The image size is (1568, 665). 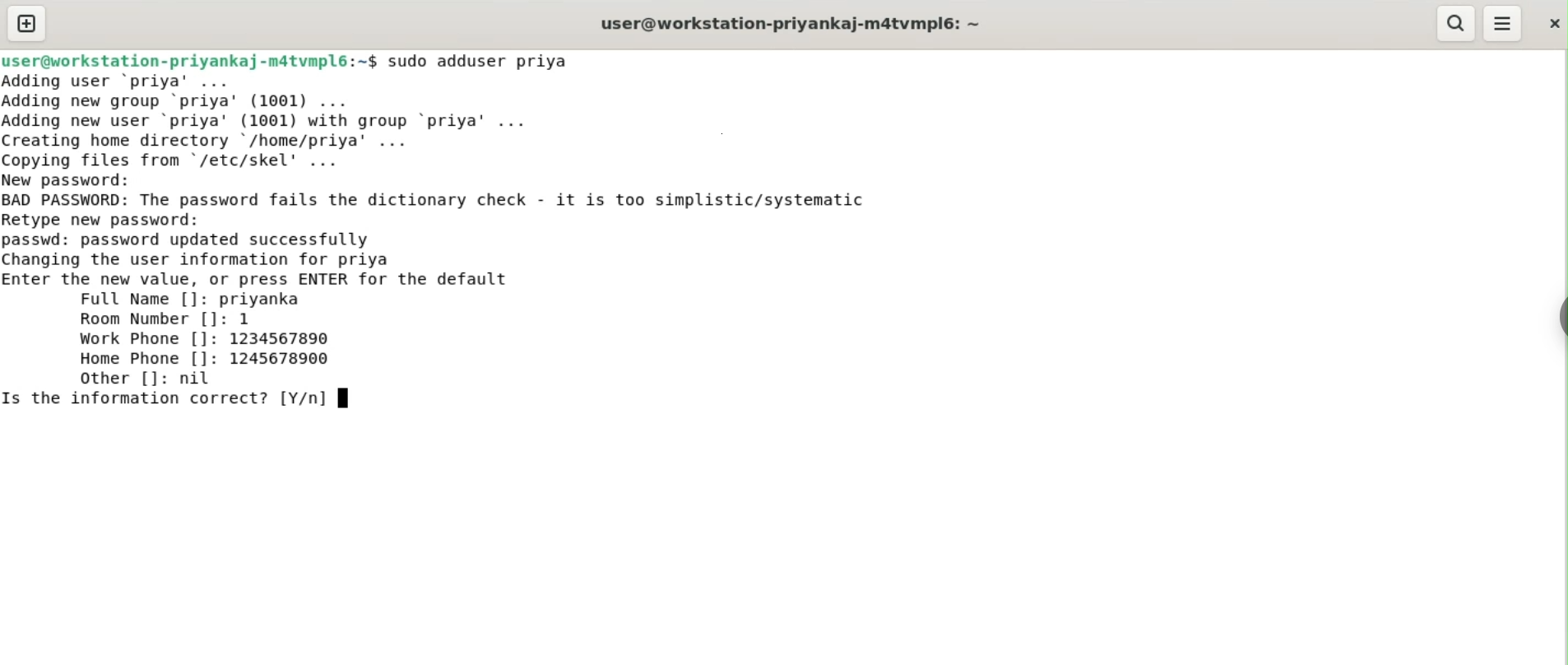 What do you see at coordinates (489, 61) in the screenshot?
I see `sudo adduser priya` at bounding box center [489, 61].